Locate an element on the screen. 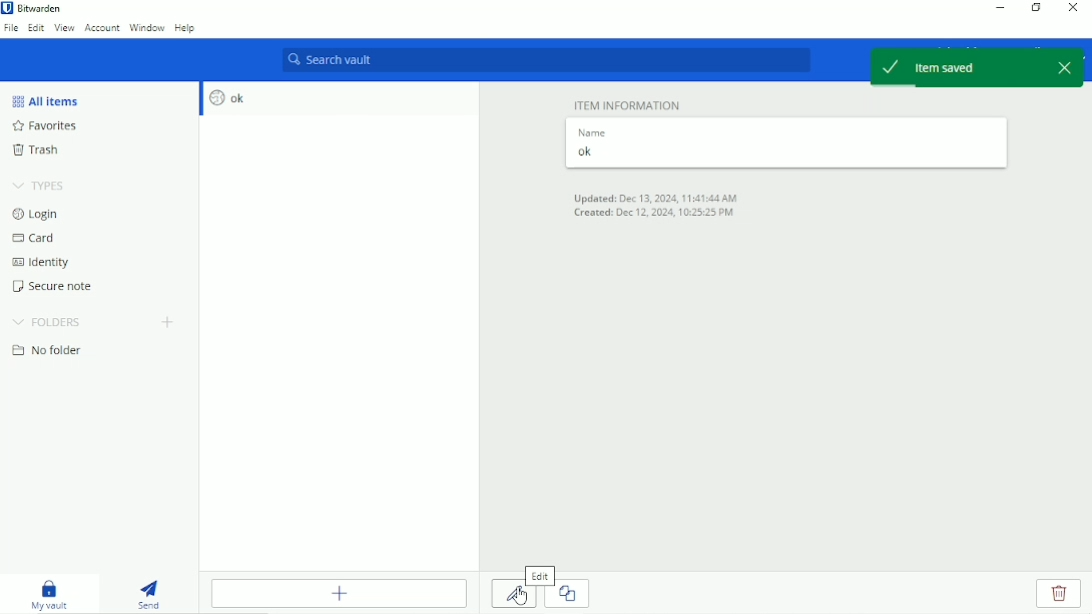 The height and width of the screenshot is (614, 1092). Help is located at coordinates (189, 29).